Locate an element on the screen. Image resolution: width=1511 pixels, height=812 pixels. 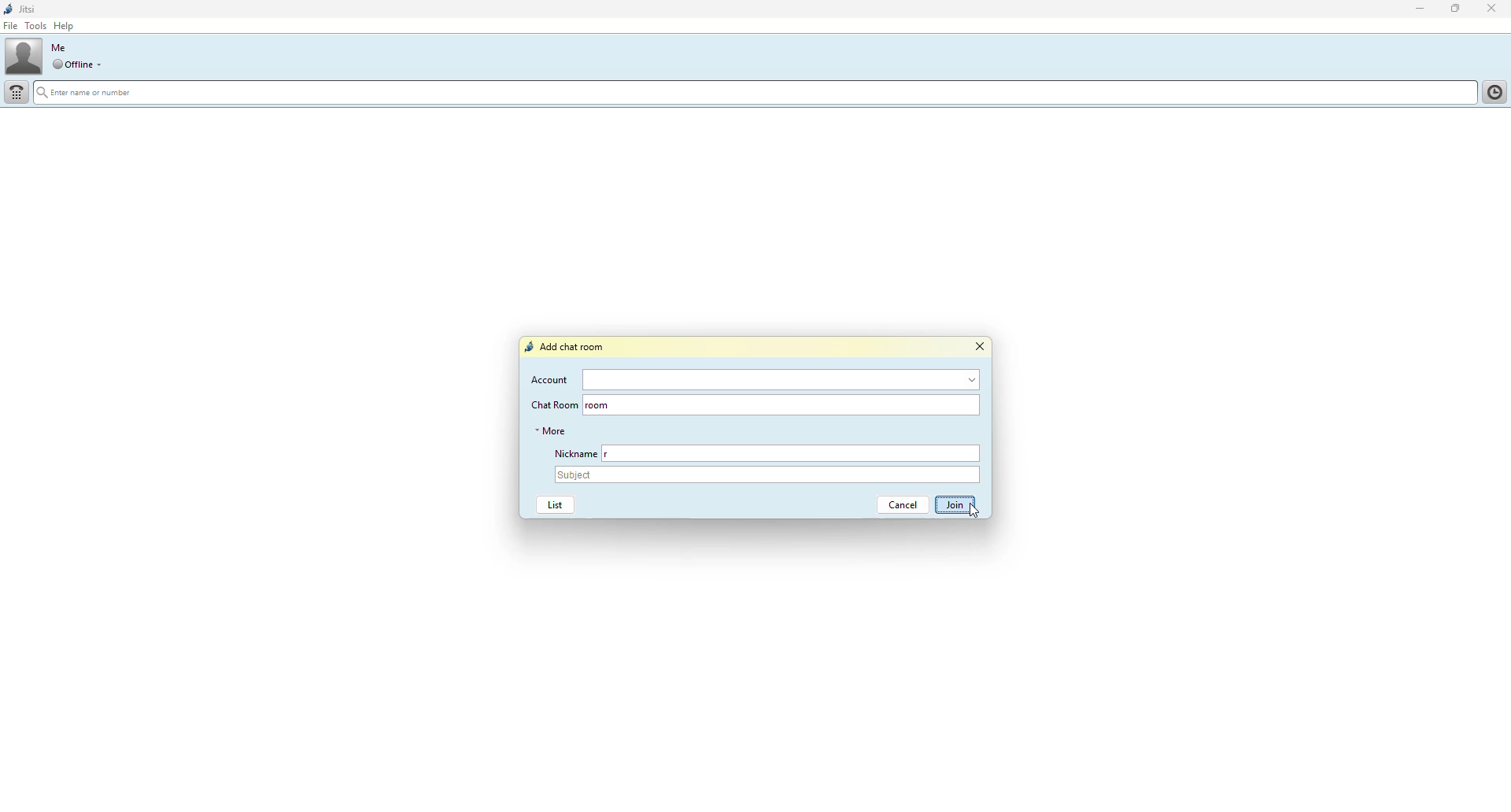
account is located at coordinates (781, 379).